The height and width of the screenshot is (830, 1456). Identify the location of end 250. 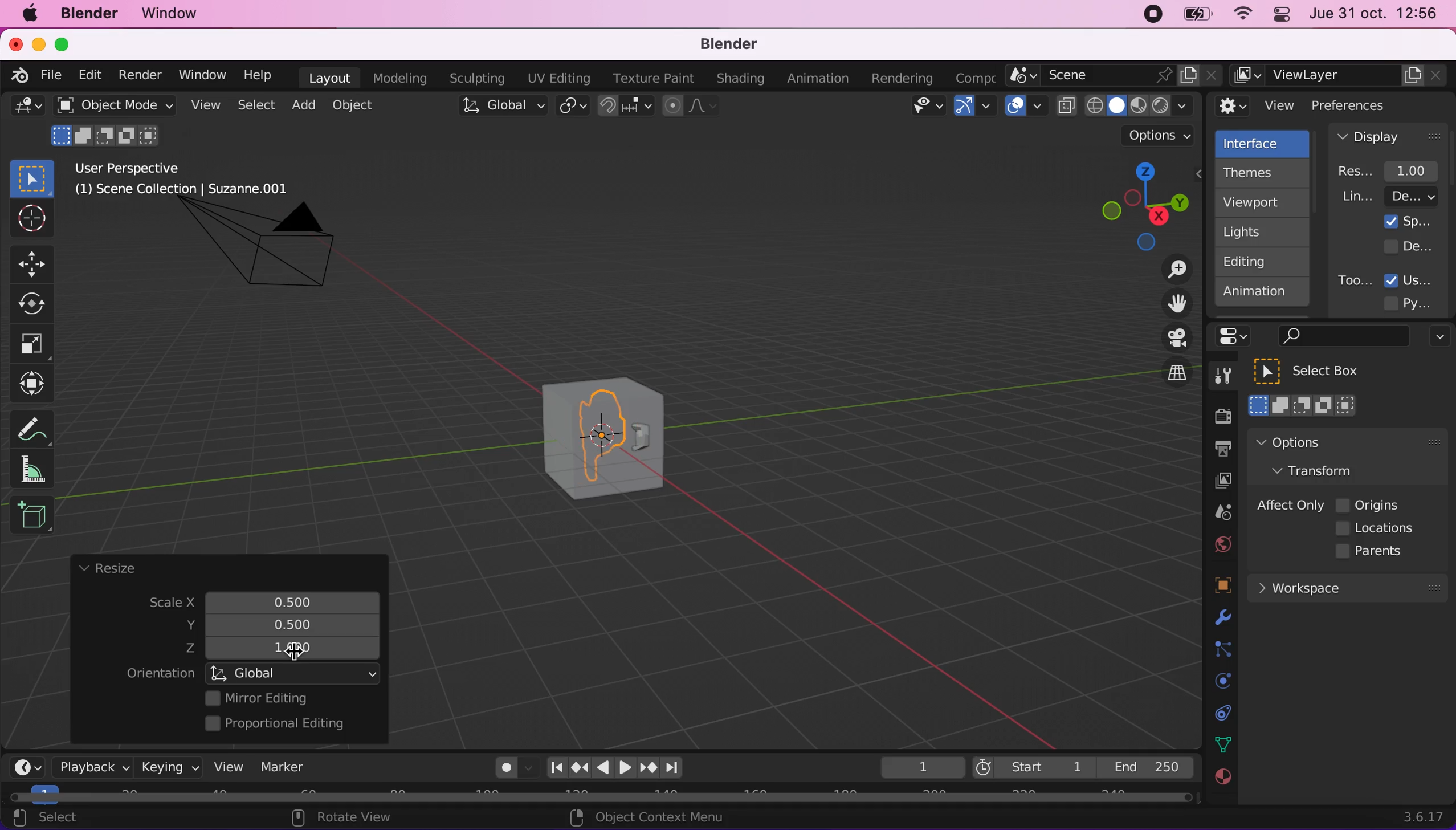
(1145, 766).